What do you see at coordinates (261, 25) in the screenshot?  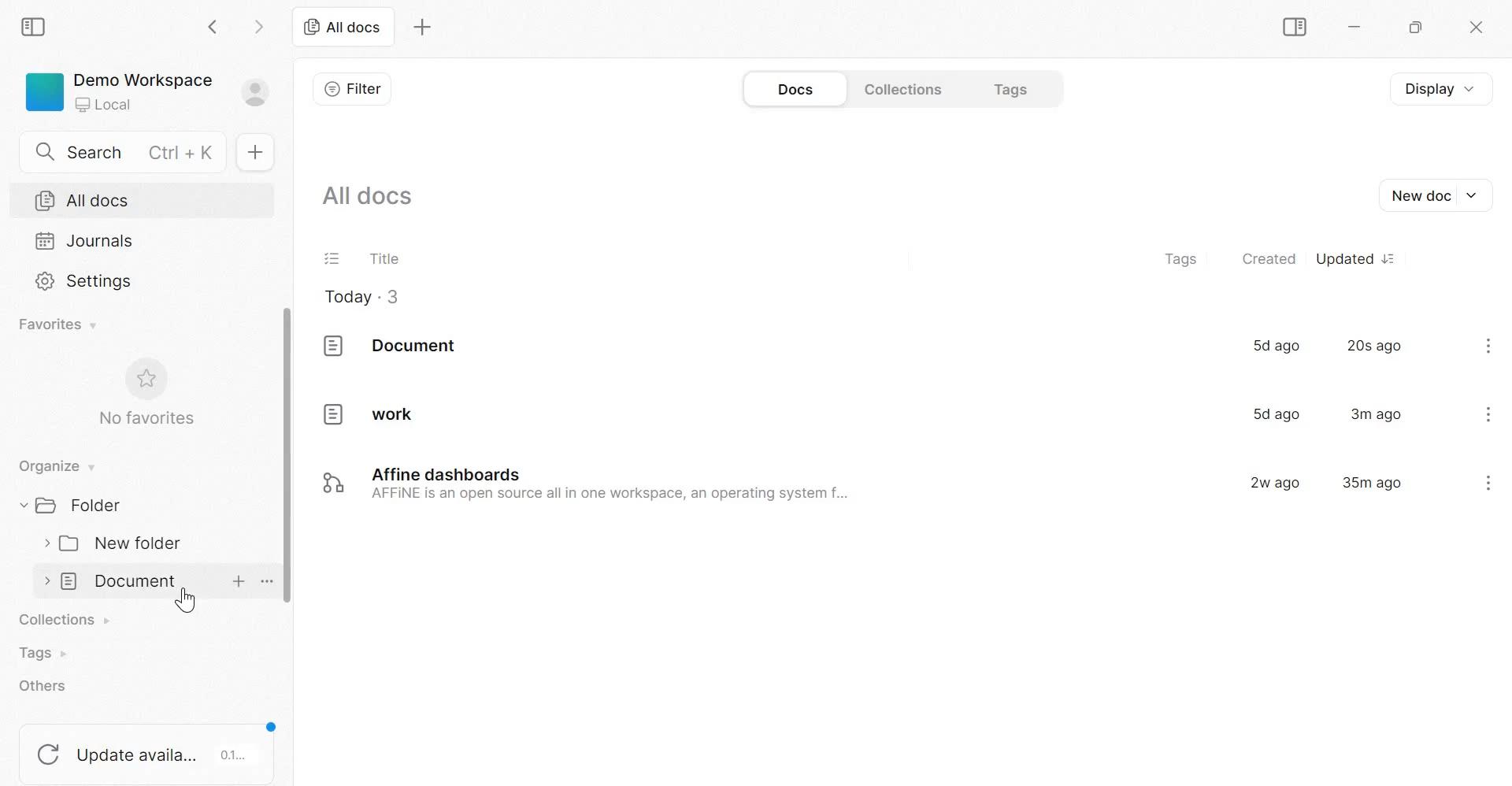 I see `go forward` at bounding box center [261, 25].